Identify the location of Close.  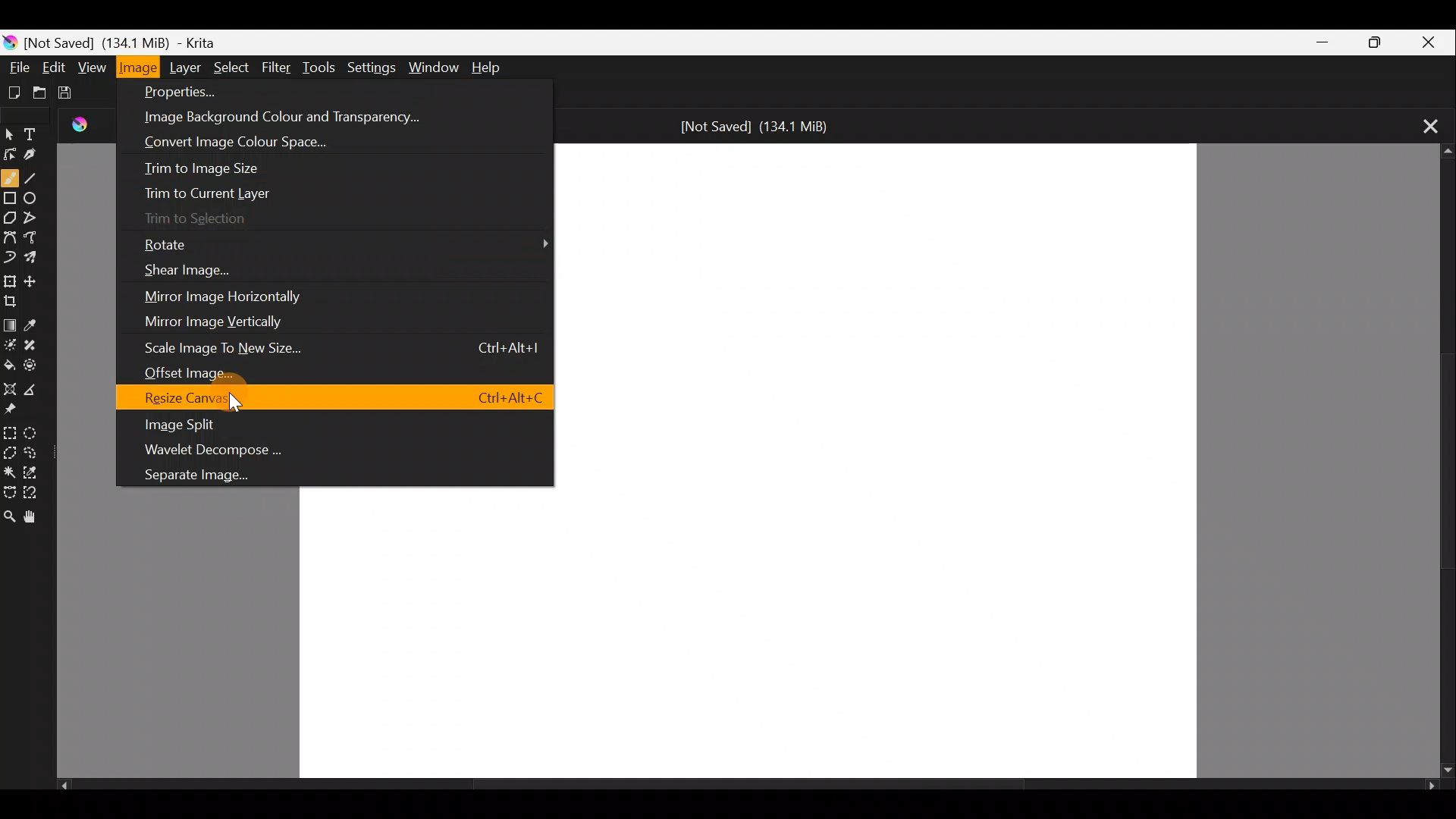
(1428, 42).